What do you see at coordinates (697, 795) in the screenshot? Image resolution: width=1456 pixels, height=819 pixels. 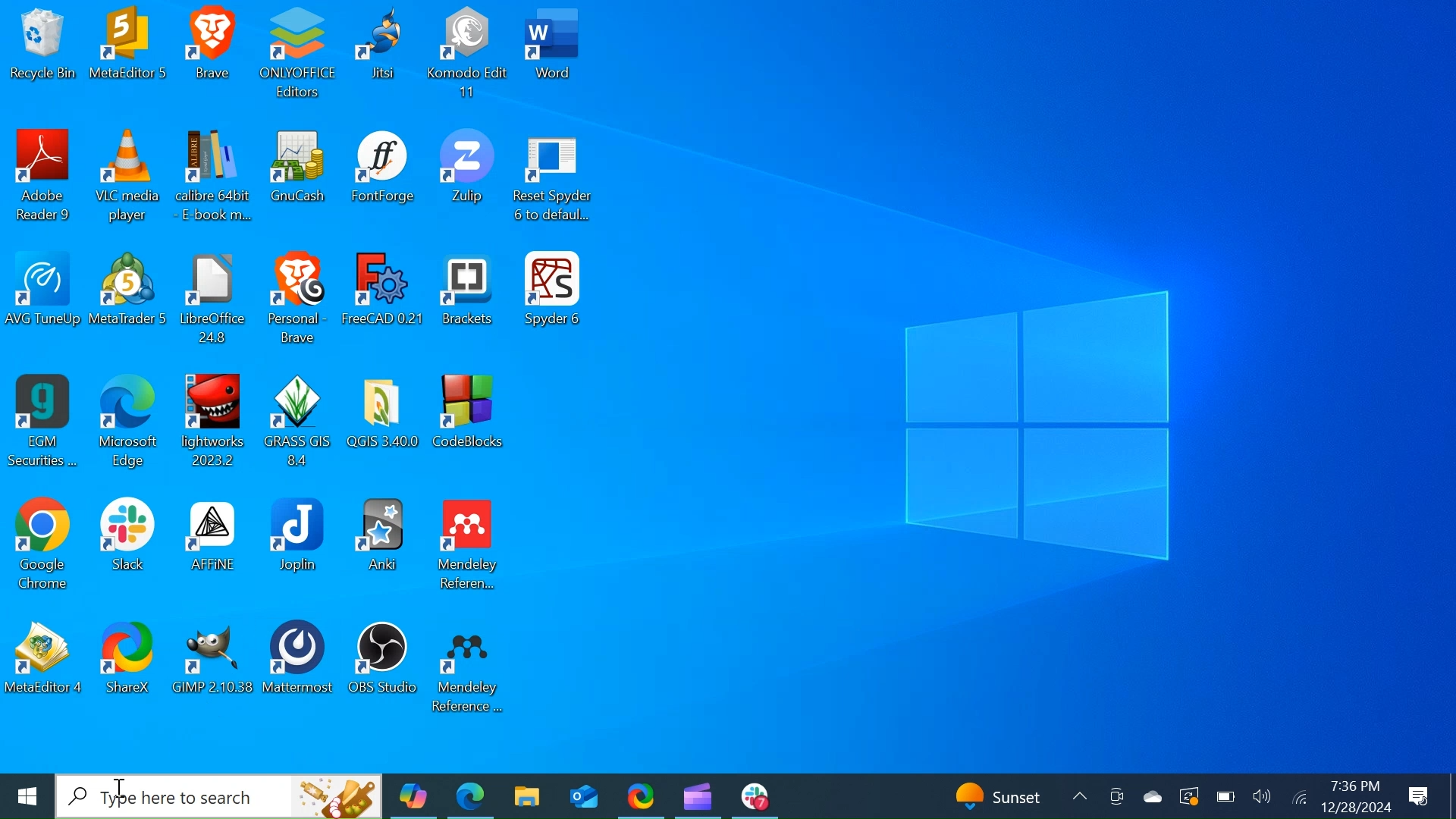 I see `Microsoft Clipchamp` at bounding box center [697, 795].